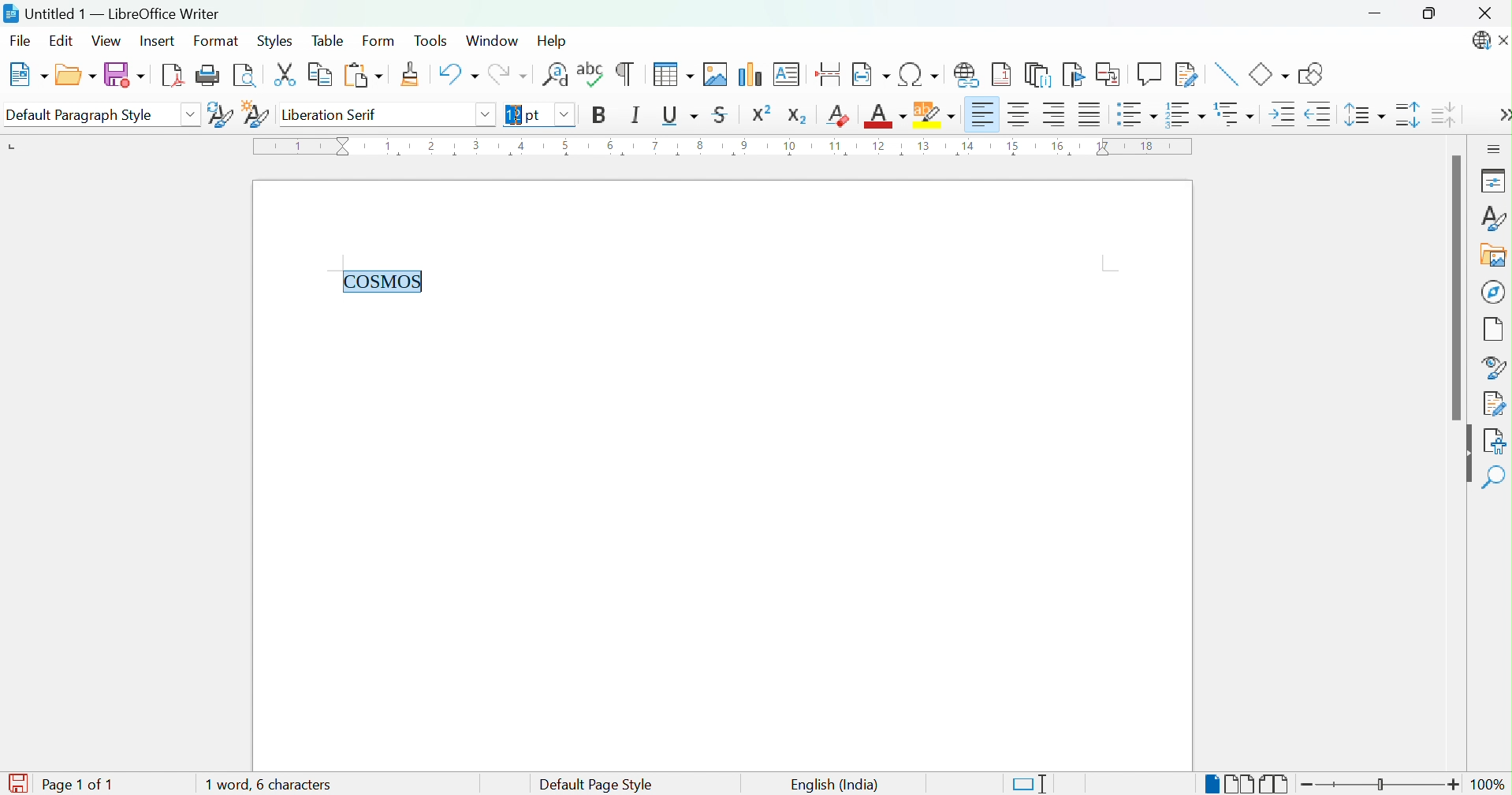 Image resolution: width=1512 pixels, height=795 pixels. What do you see at coordinates (798, 113) in the screenshot?
I see `Subscript` at bounding box center [798, 113].